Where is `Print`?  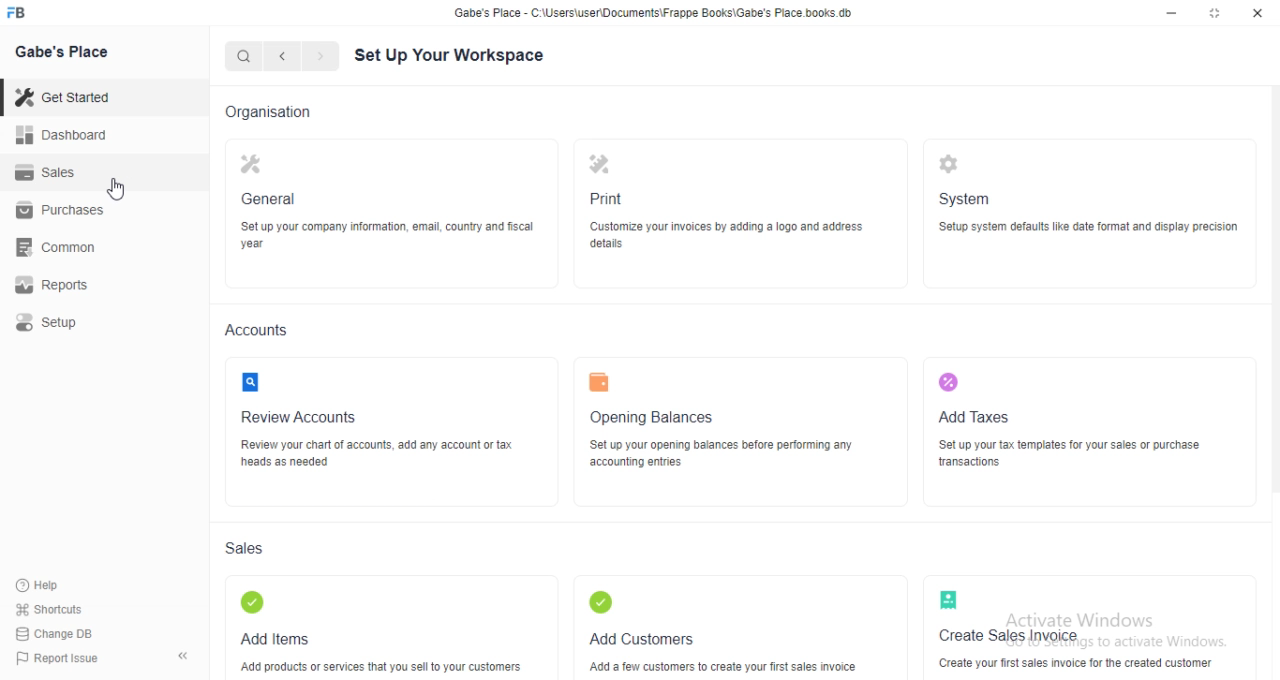 Print is located at coordinates (610, 172).